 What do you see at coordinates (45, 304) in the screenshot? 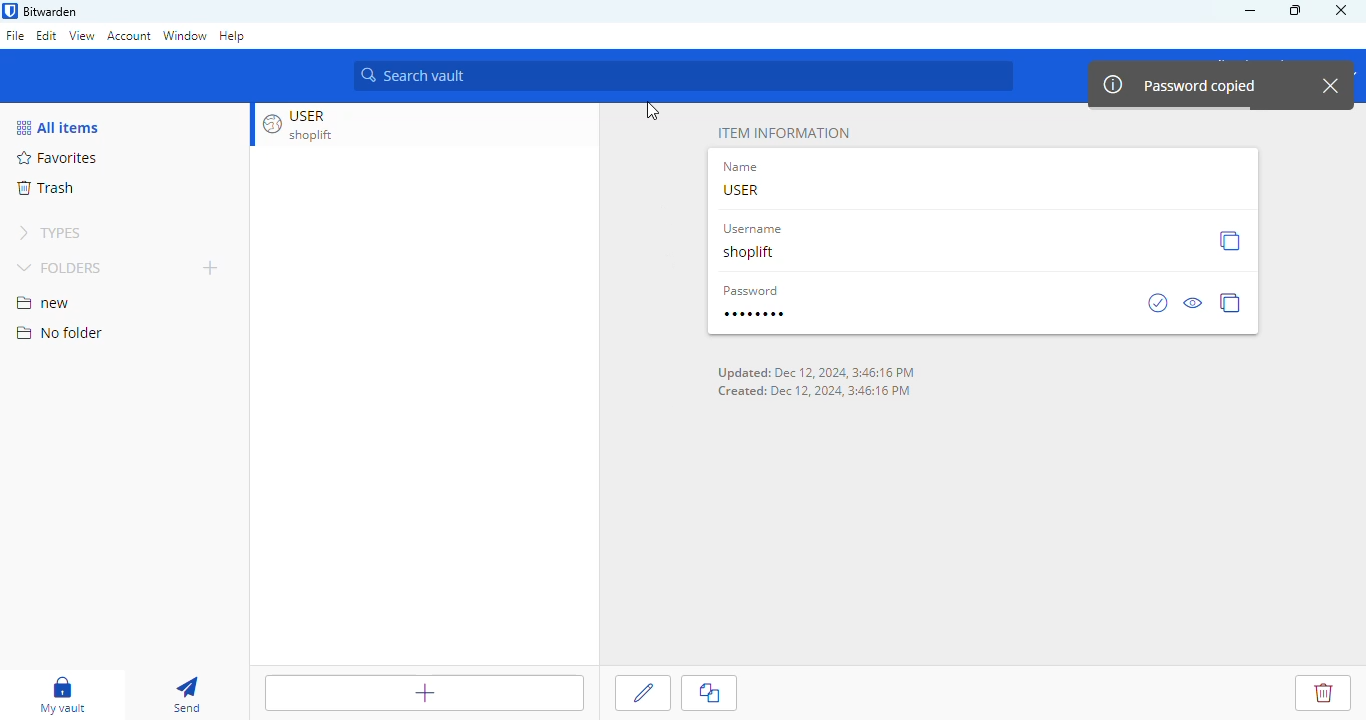
I see `new` at bounding box center [45, 304].